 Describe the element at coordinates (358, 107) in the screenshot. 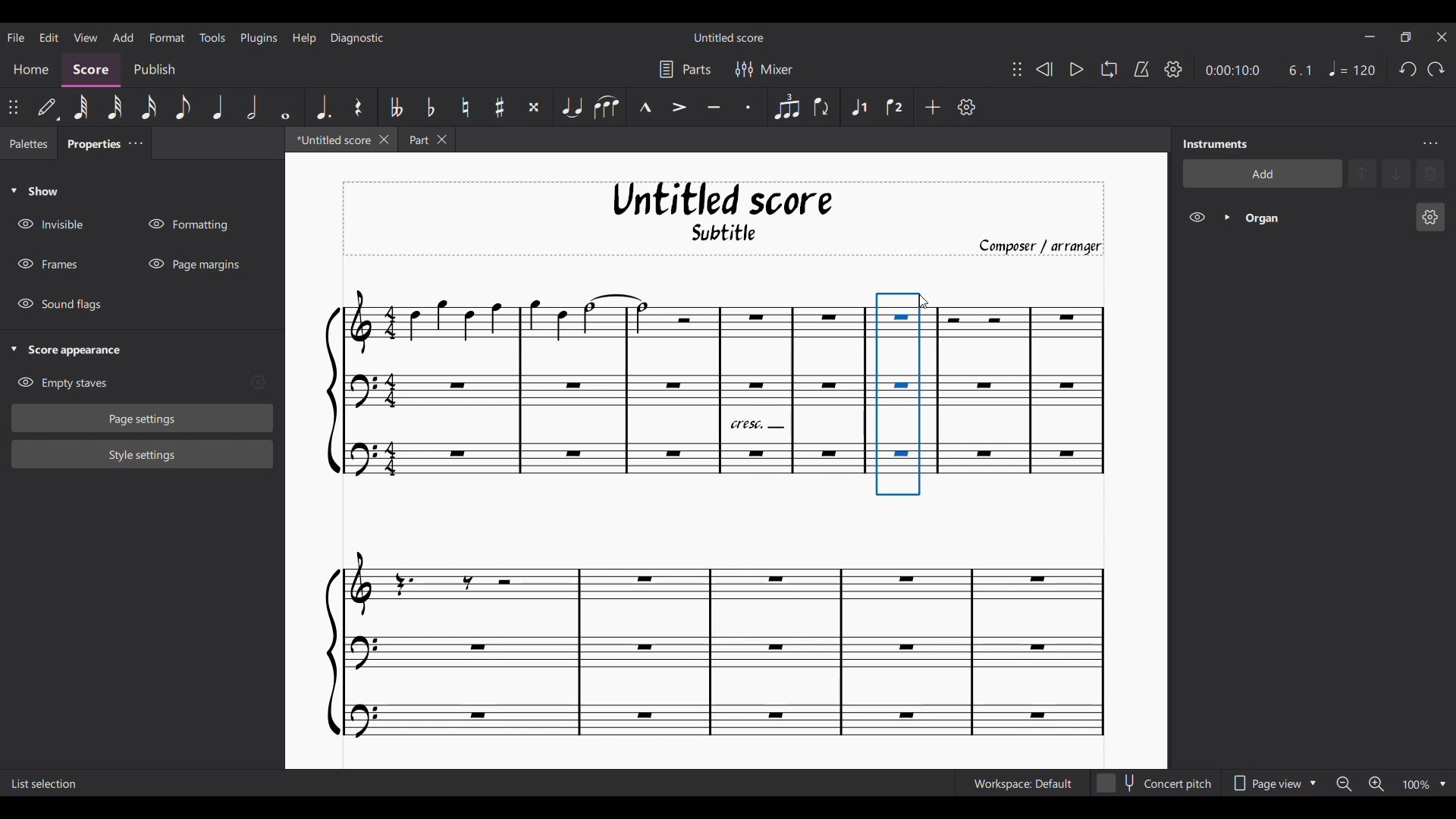

I see `Rest` at that location.